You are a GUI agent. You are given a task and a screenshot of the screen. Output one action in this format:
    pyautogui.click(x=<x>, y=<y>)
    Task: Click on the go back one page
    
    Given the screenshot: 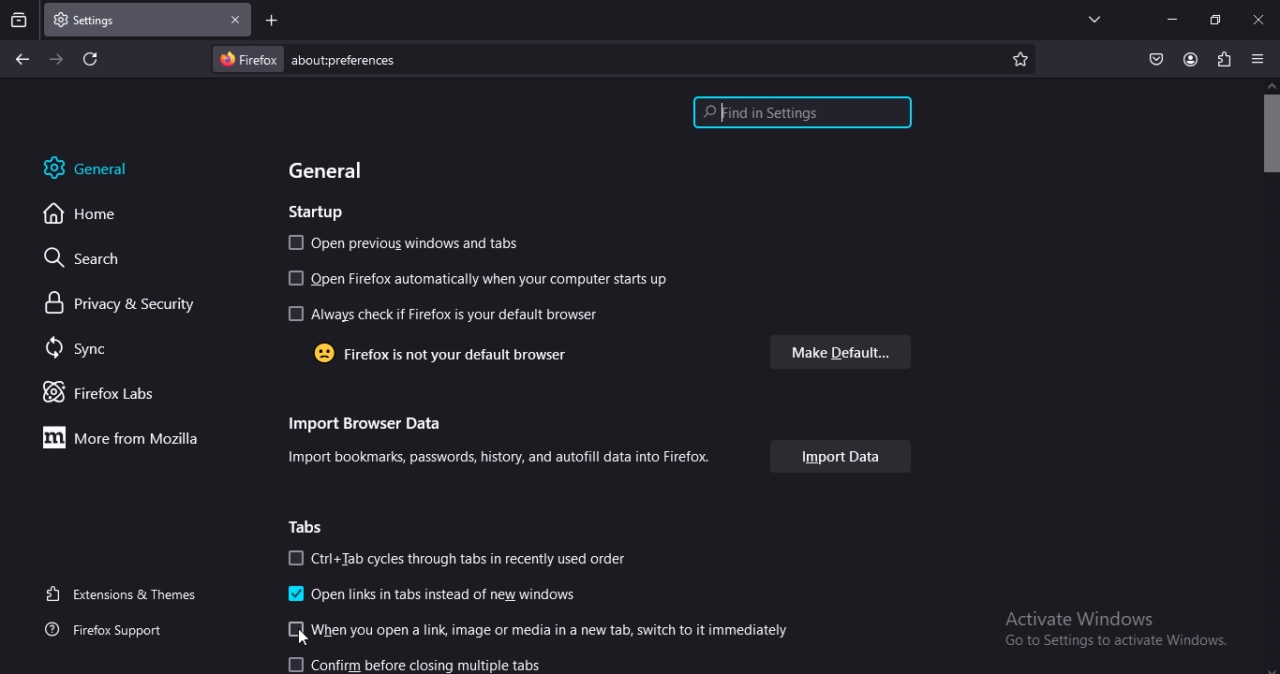 What is the action you would take?
    pyautogui.click(x=26, y=60)
    